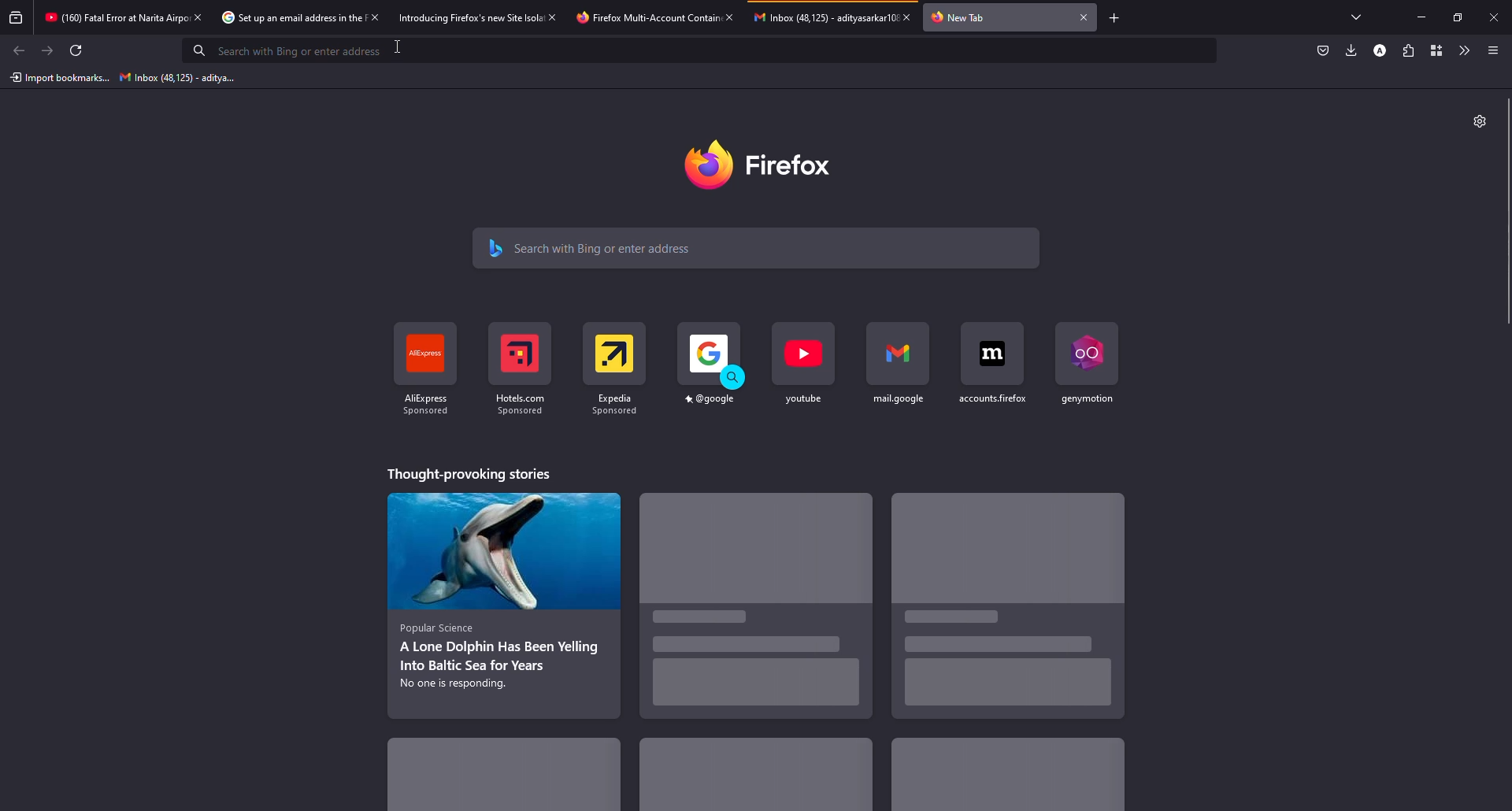  What do you see at coordinates (1321, 51) in the screenshot?
I see `save to packet` at bounding box center [1321, 51].